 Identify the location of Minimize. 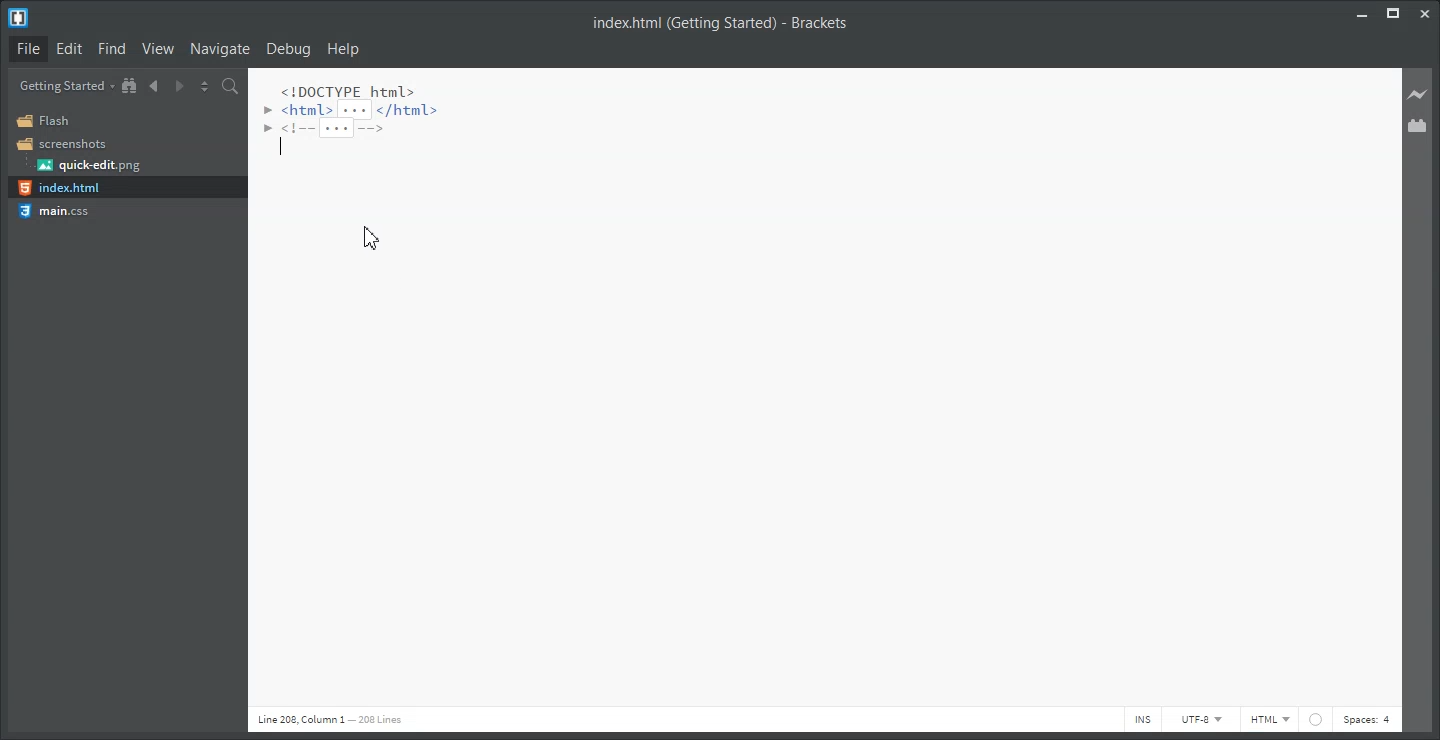
(1361, 12).